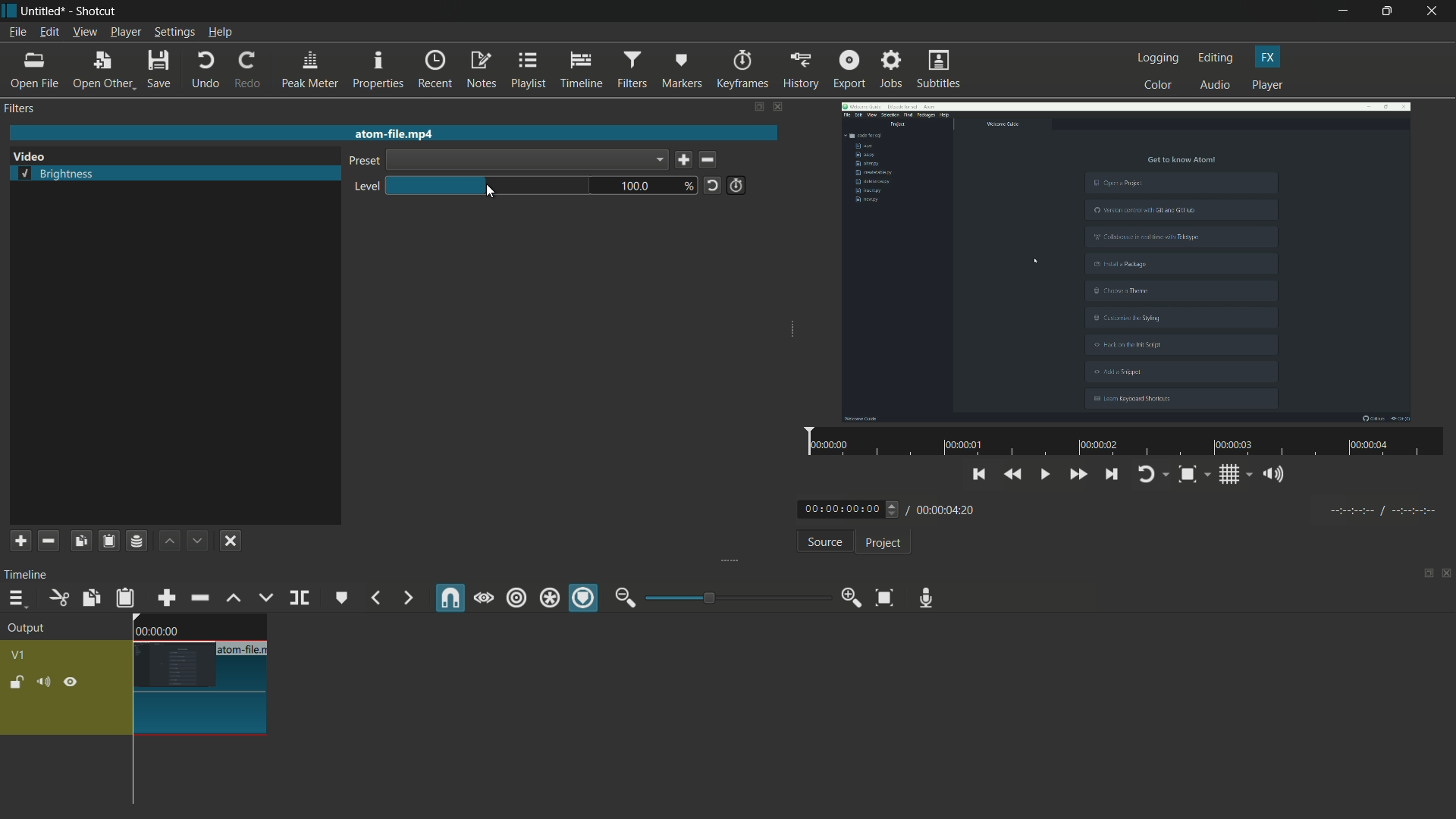 The image size is (1456, 819). I want to click on timecodes, so click(1381, 508).